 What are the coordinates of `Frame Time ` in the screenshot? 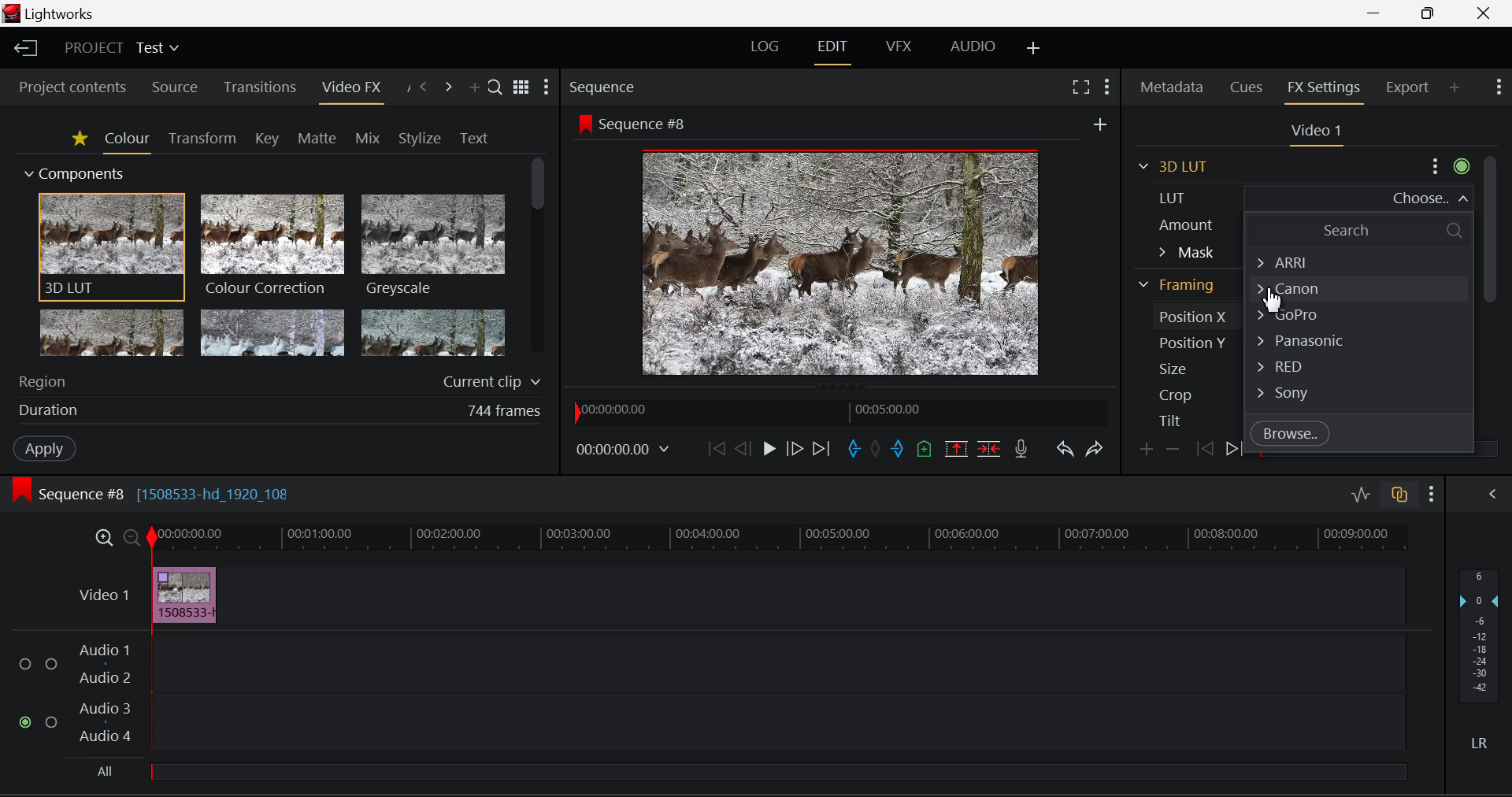 It's located at (622, 453).